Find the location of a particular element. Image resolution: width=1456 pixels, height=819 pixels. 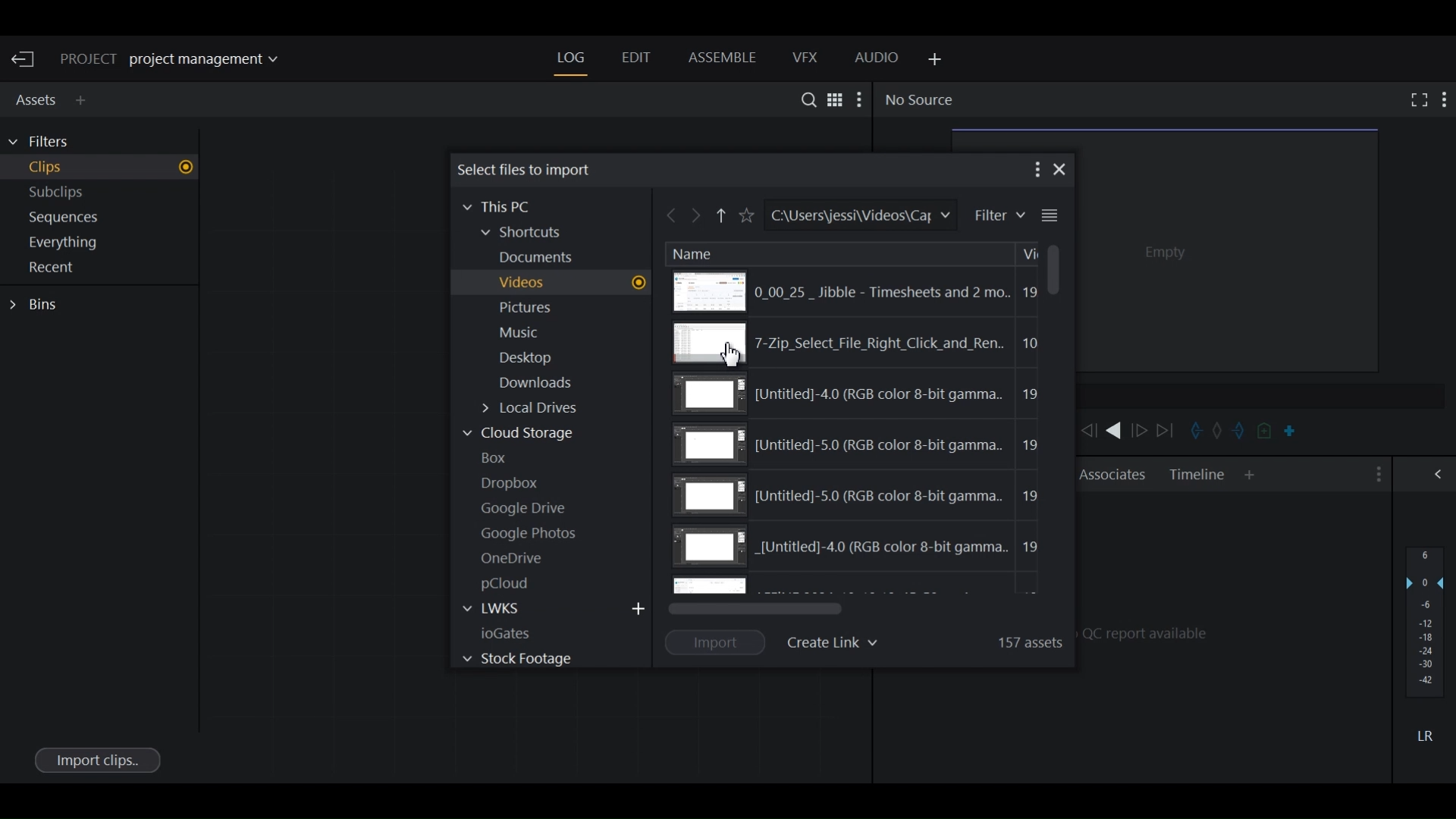

RGB color is located at coordinates (863, 394).